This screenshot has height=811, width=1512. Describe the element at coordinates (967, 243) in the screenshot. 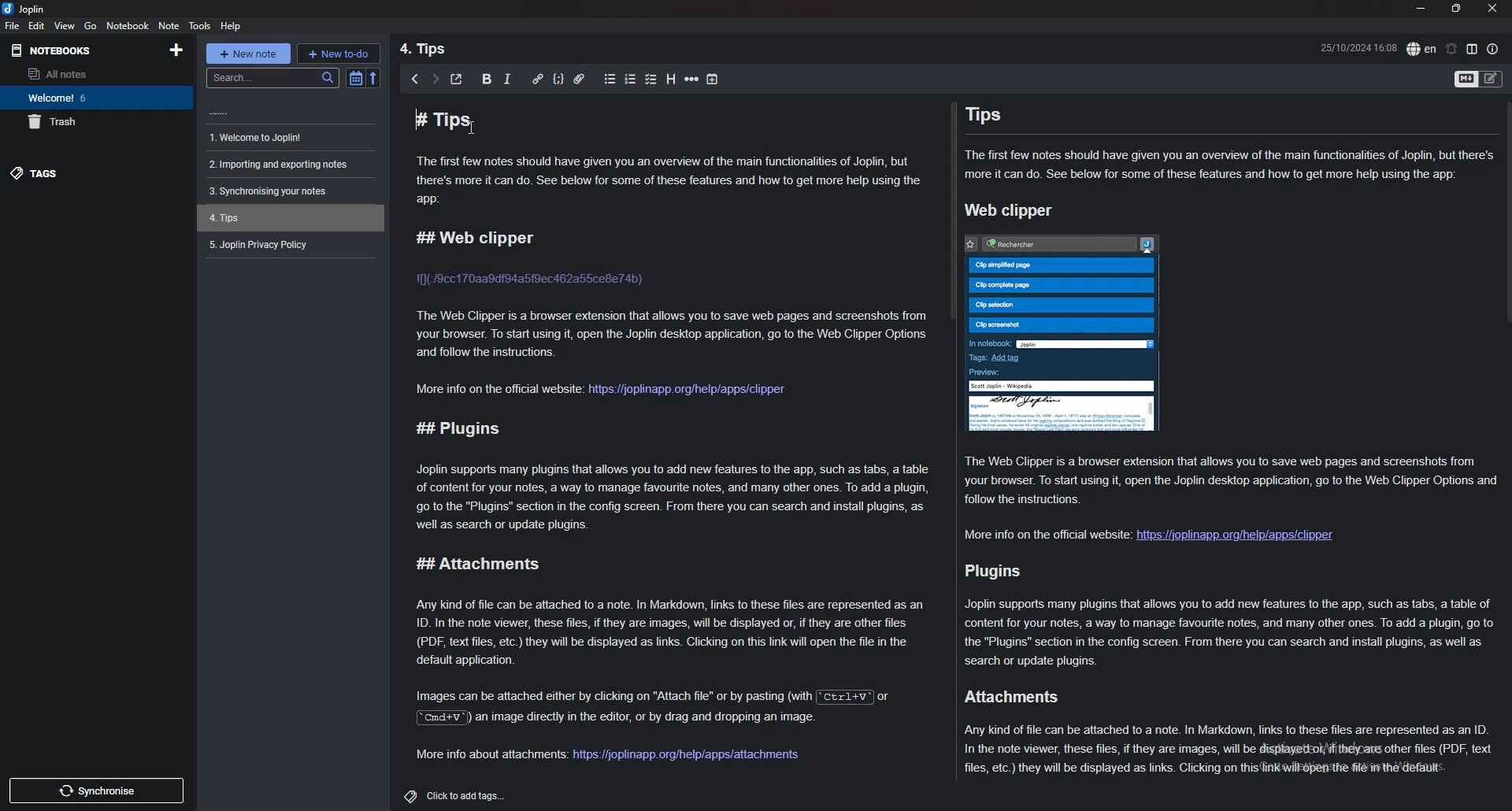

I see `Favorite` at that location.